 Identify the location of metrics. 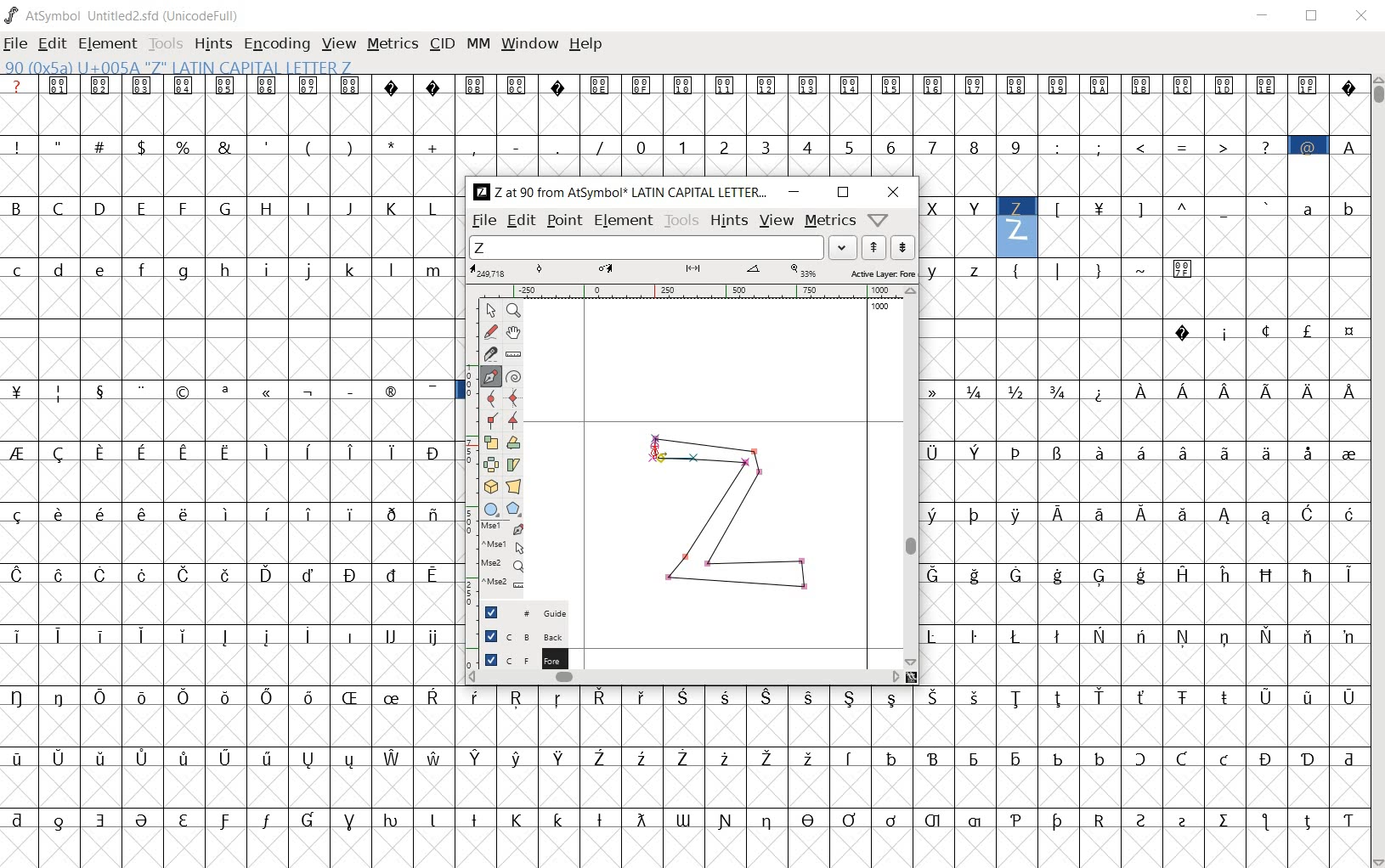
(830, 222).